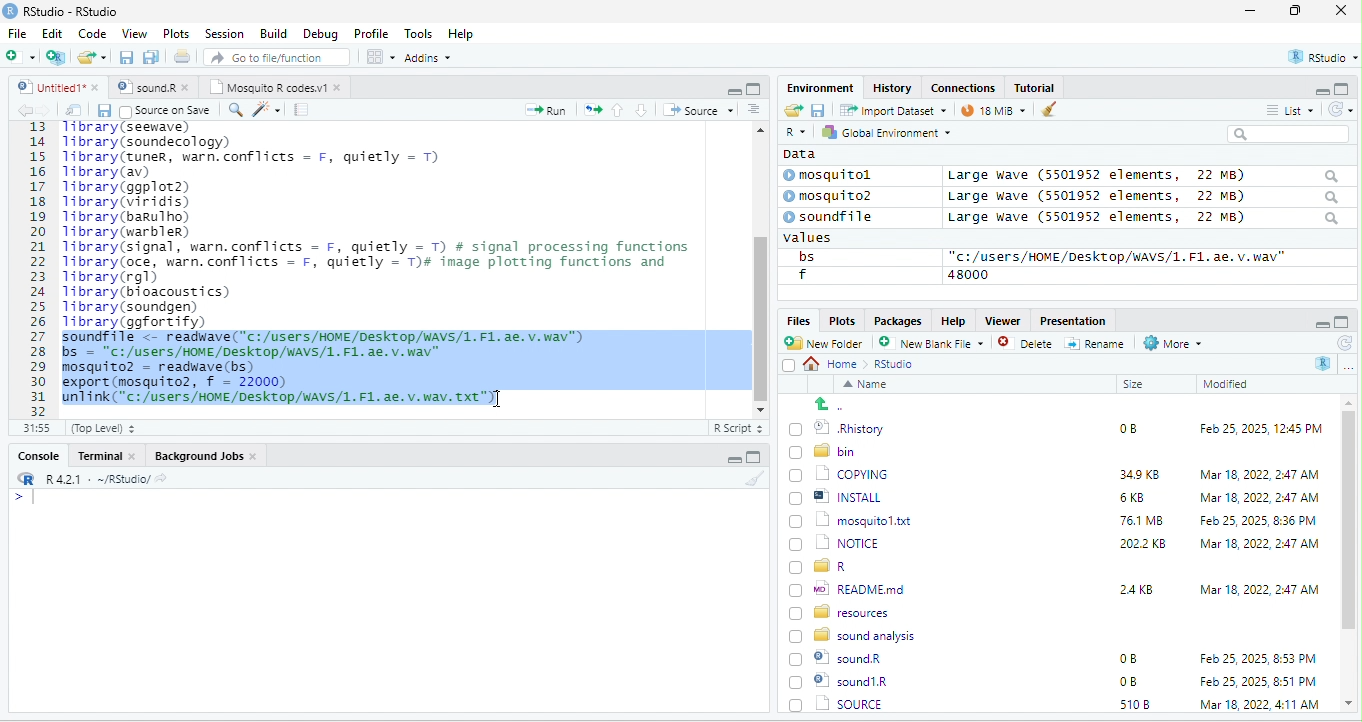  I want to click on minimize, so click(1314, 90).